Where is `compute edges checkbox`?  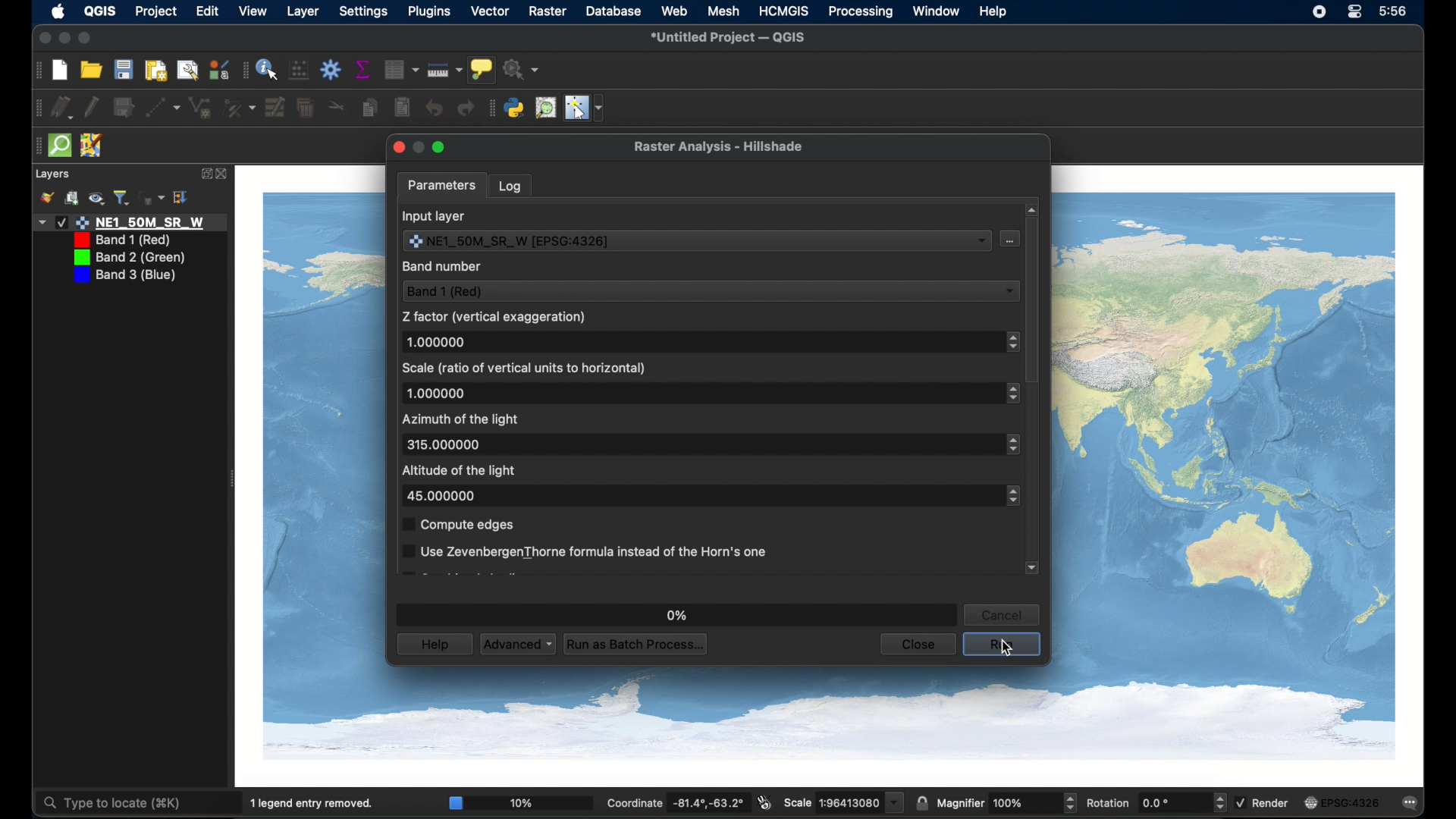 compute edges checkbox is located at coordinates (461, 525).